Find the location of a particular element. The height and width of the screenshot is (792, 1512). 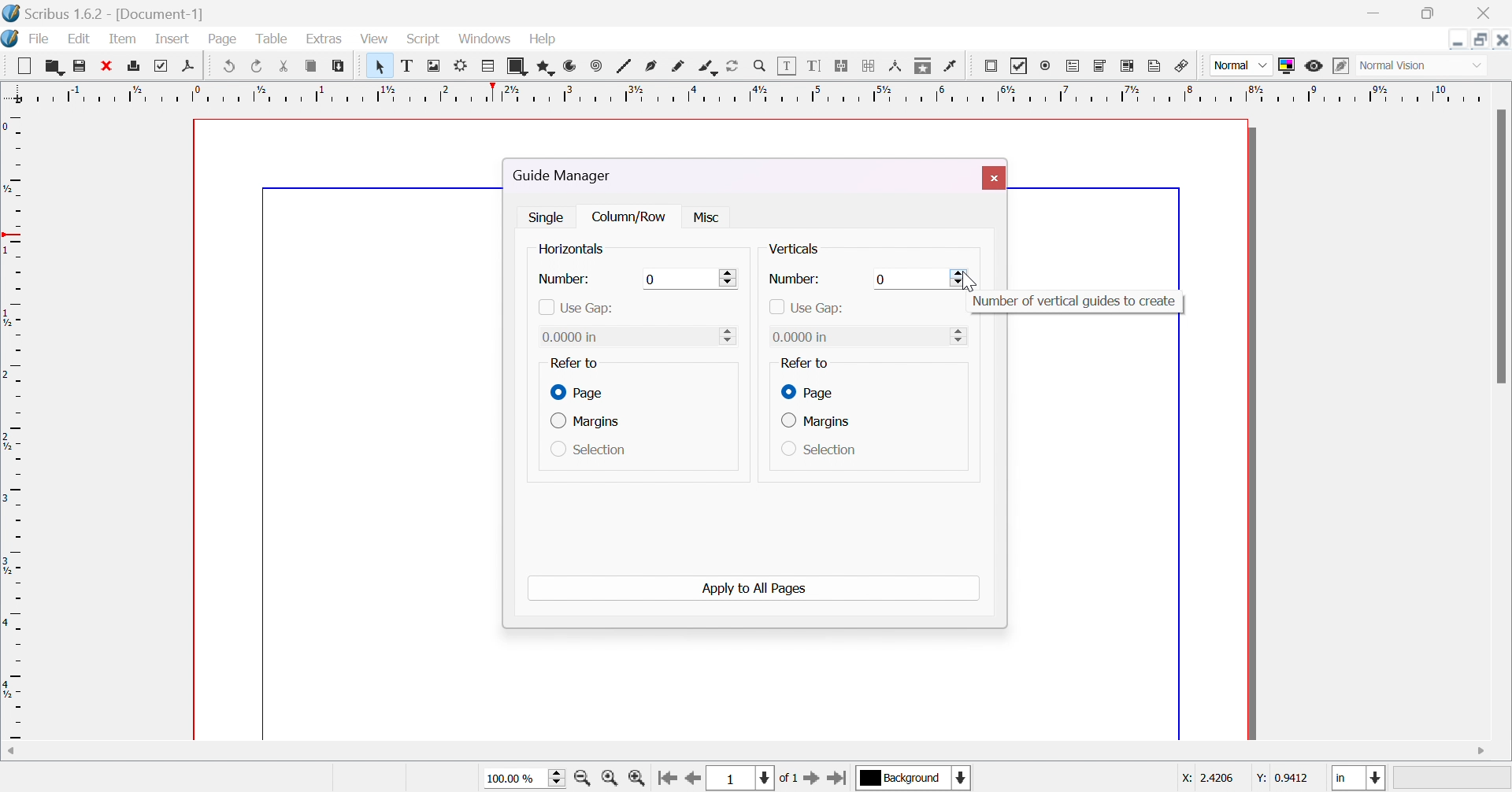

eye dropper is located at coordinates (953, 68).